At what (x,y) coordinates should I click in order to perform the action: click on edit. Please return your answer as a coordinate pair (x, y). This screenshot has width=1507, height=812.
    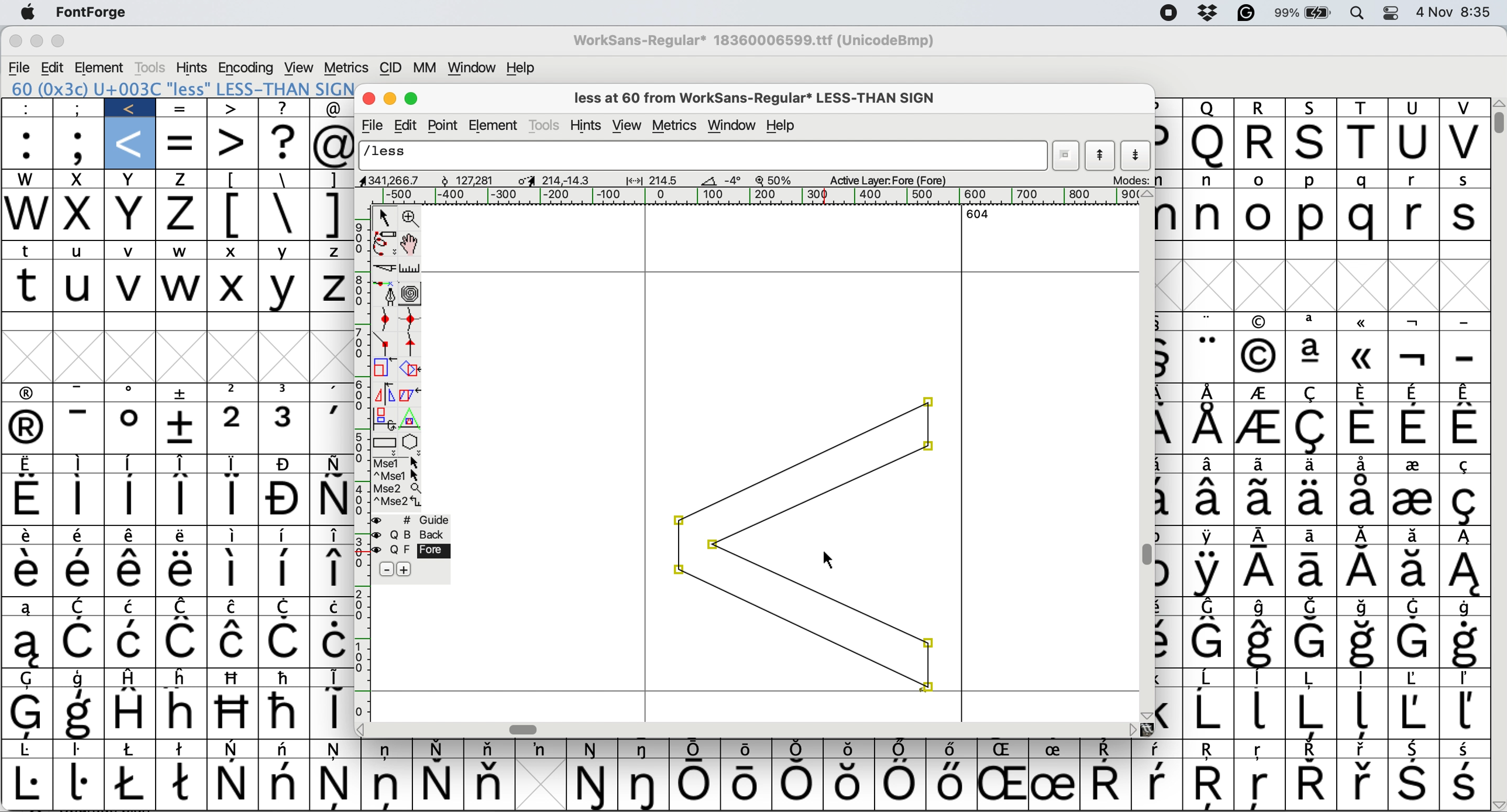
    Looking at the image, I should click on (54, 67).